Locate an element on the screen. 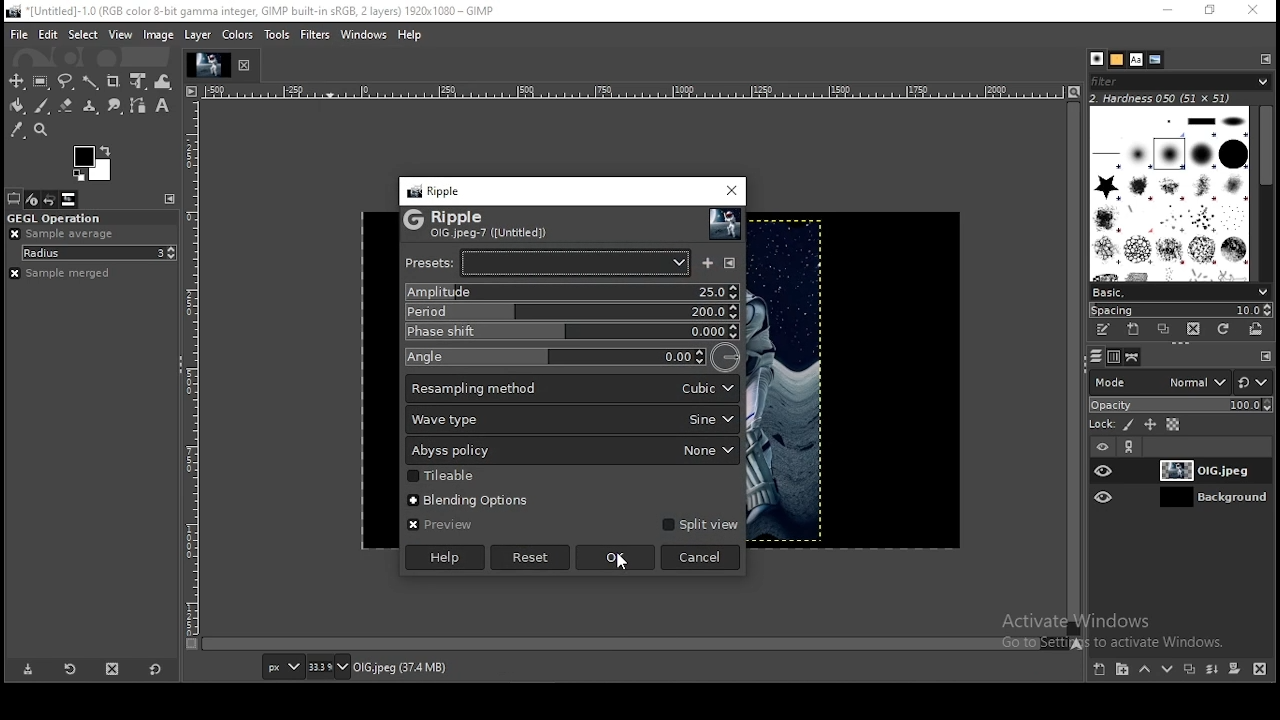  OIG.jpeg(37.4mb) is located at coordinates (399, 671).